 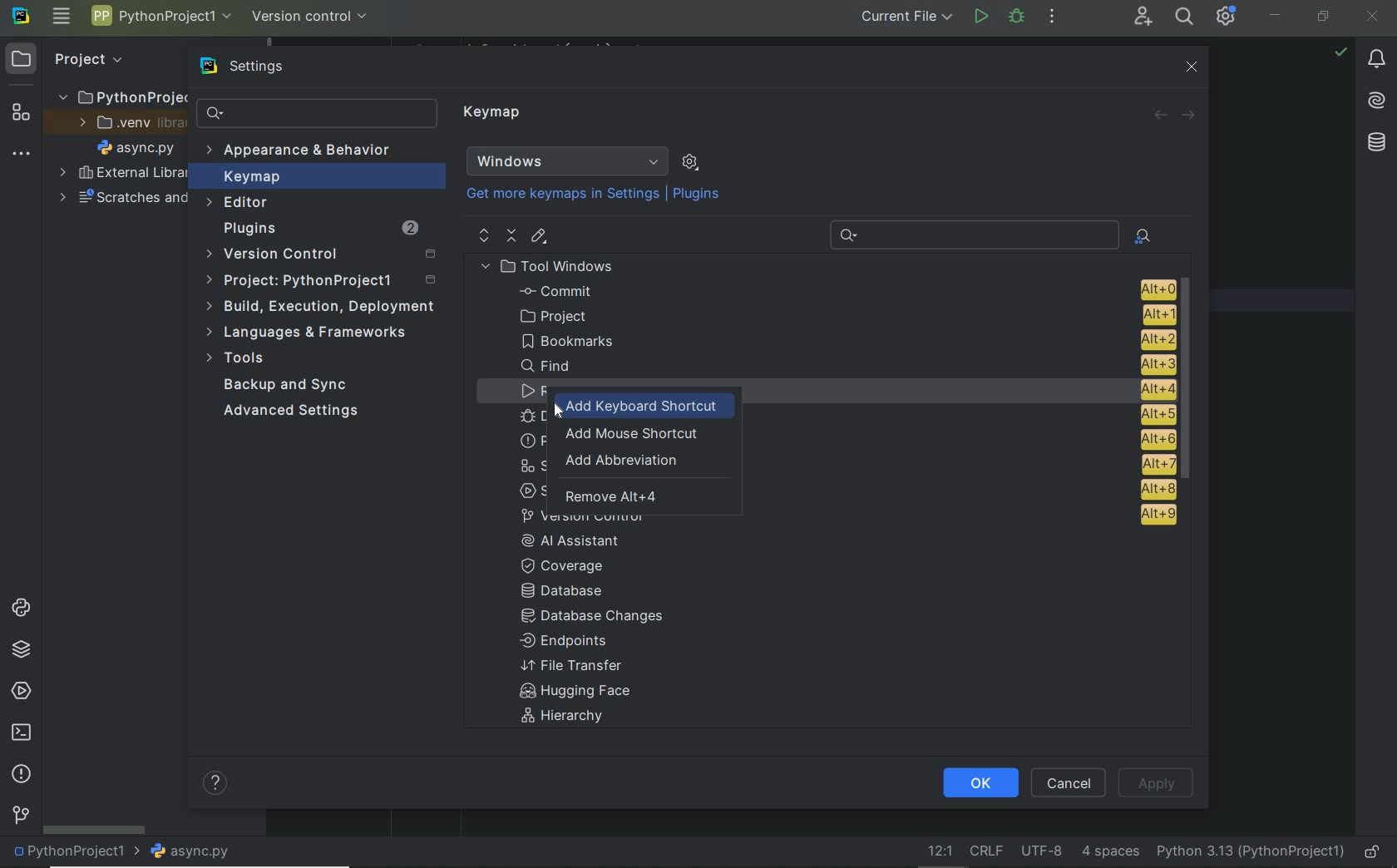 I want to click on Bookmarks, so click(x=846, y=340).